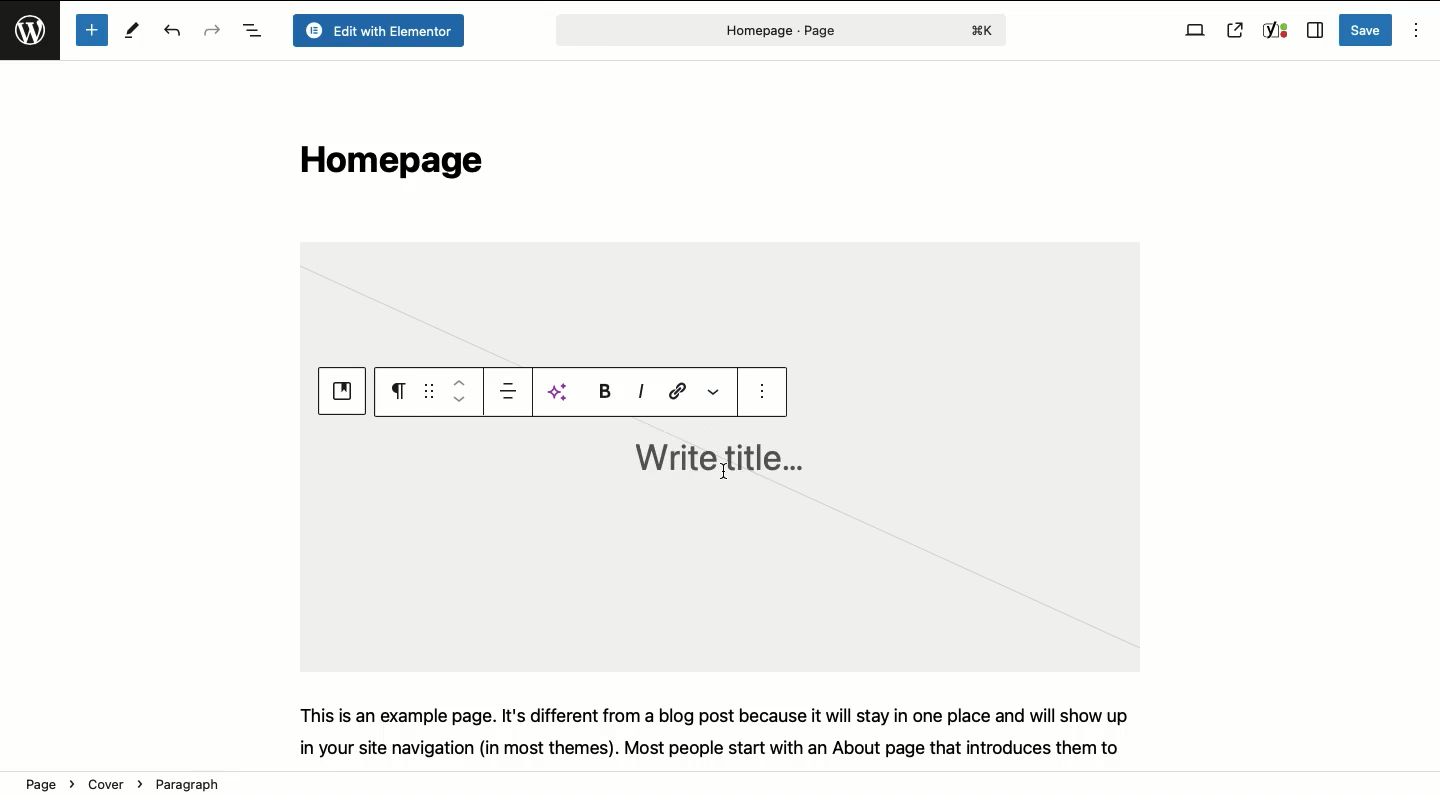  What do you see at coordinates (91, 30) in the screenshot?
I see `Add new block` at bounding box center [91, 30].